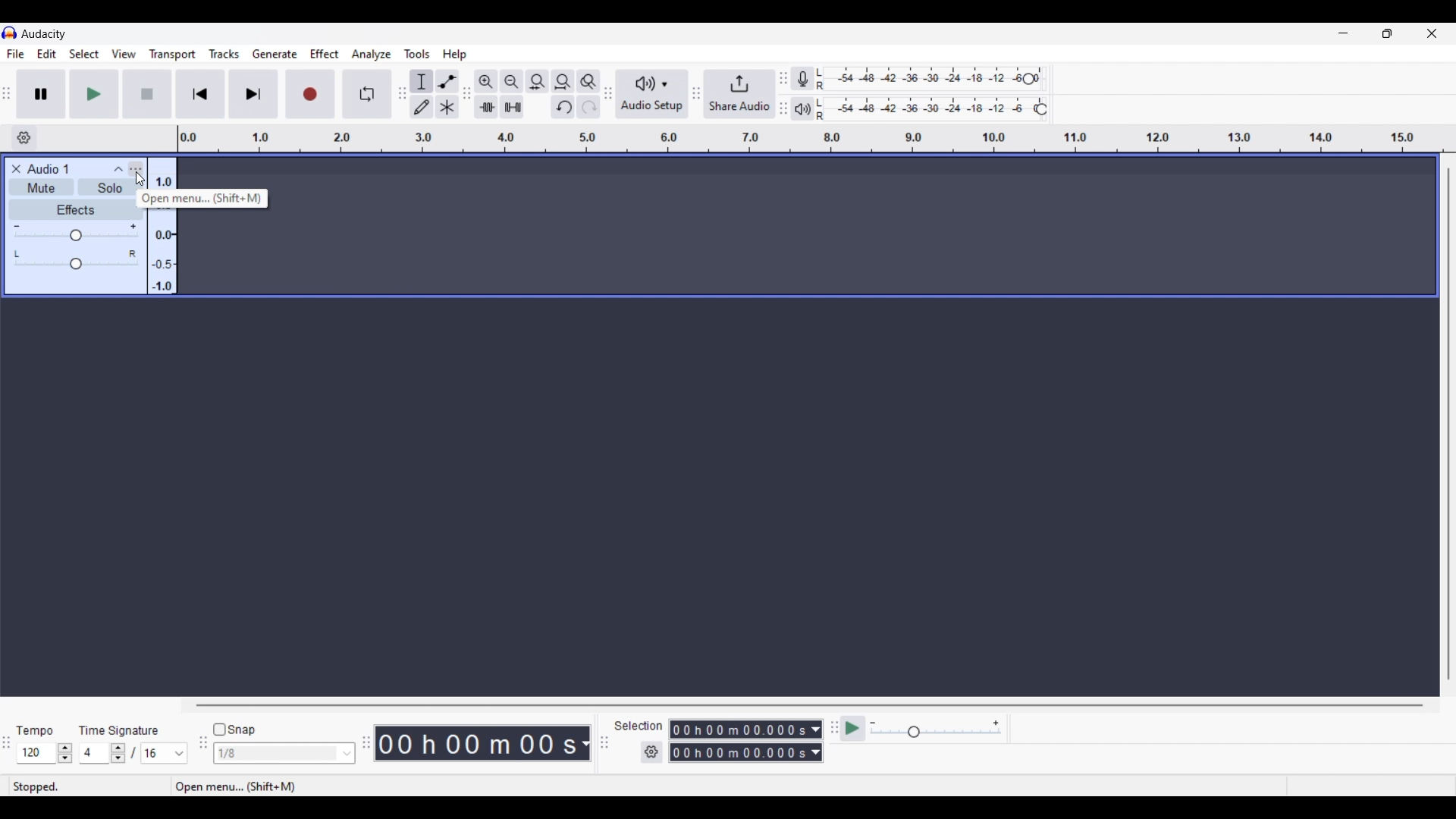  Describe the element at coordinates (173, 54) in the screenshot. I see `Transport menu` at that location.